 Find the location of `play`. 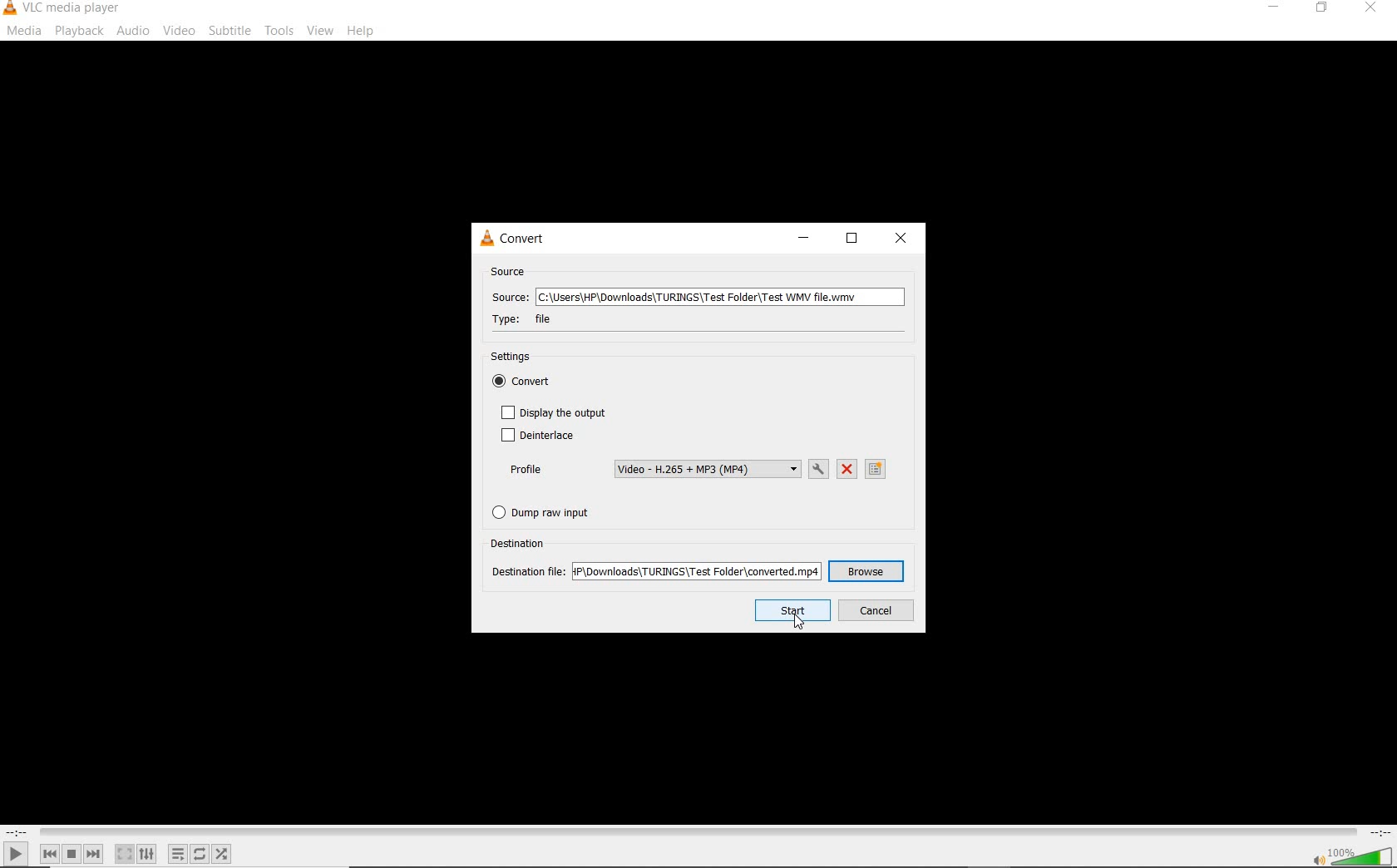

play is located at coordinates (16, 853).